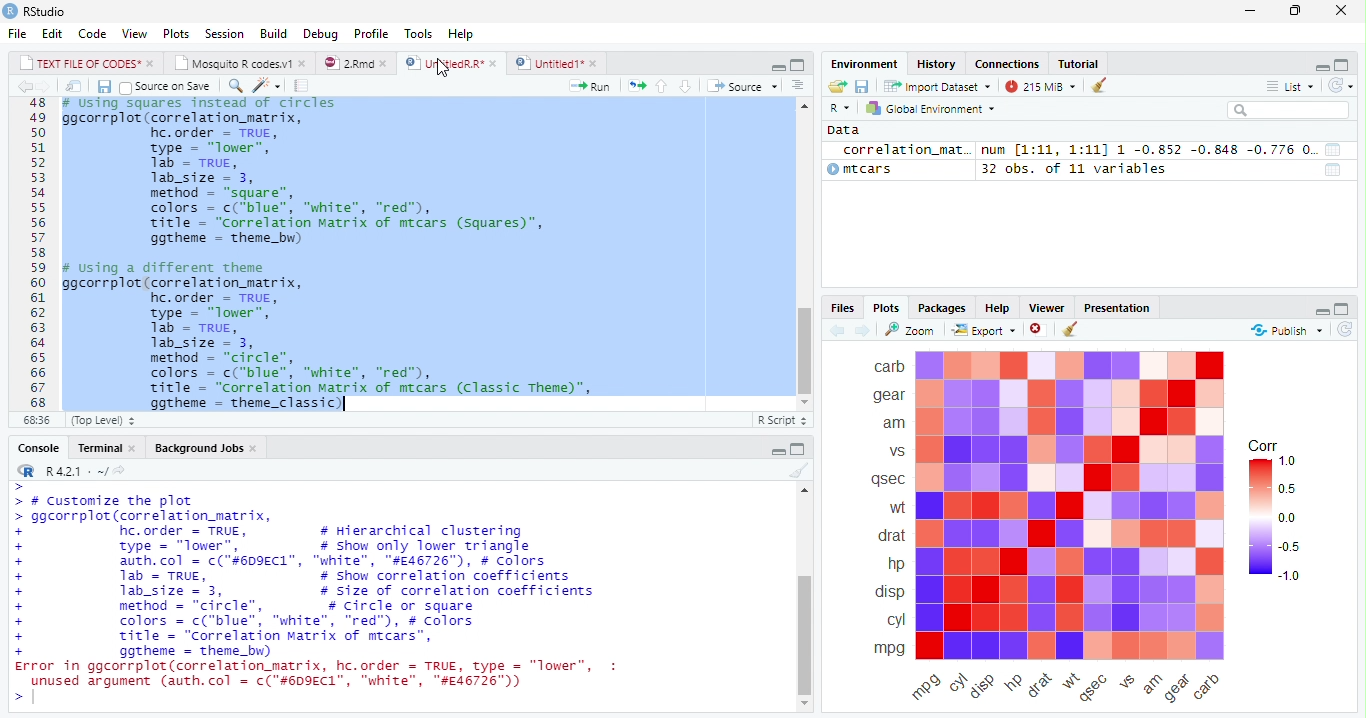  Describe the element at coordinates (1039, 86) in the screenshot. I see `215 mb` at that location.